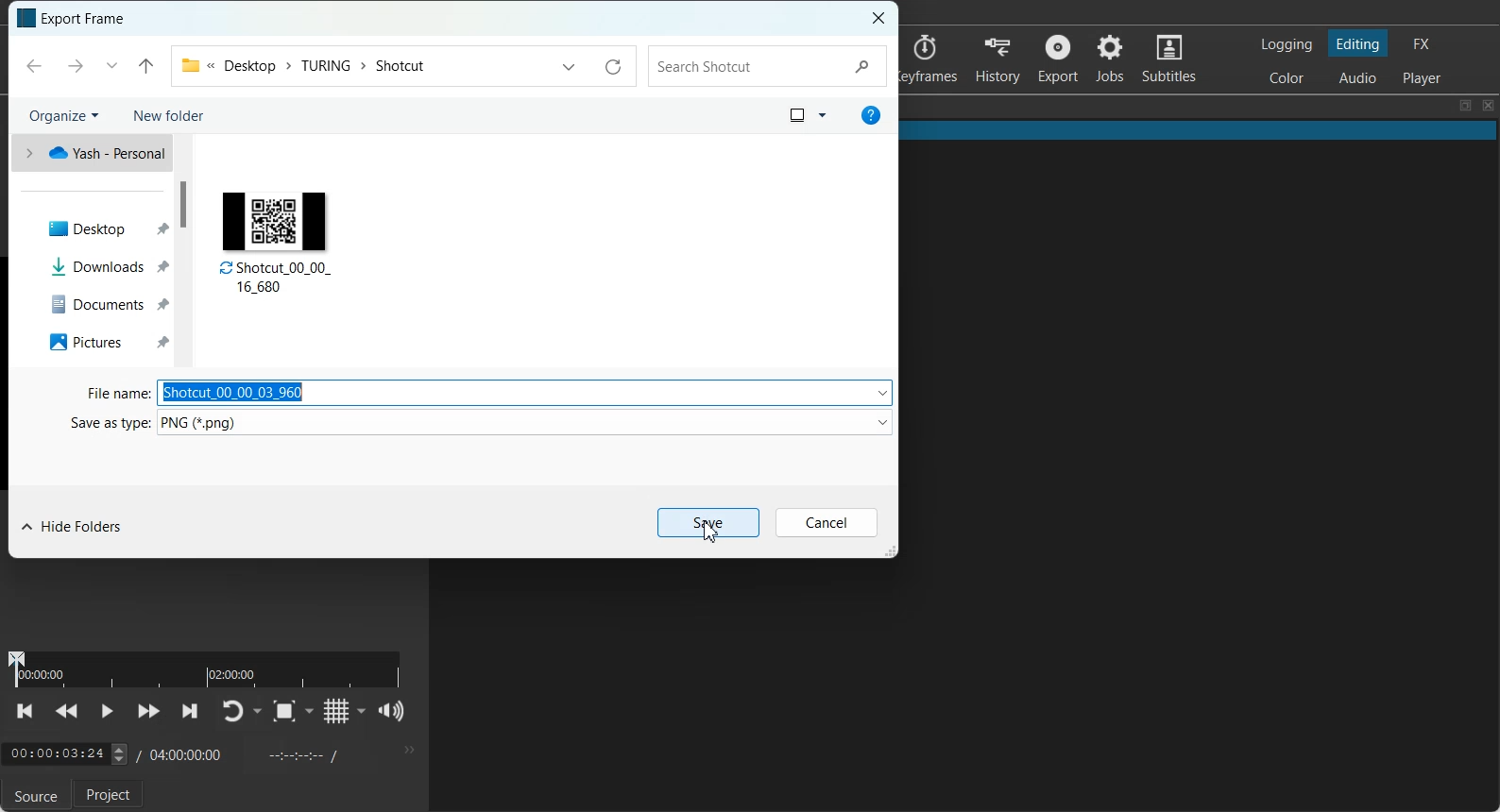 The image size is (1500, 812). I want to click on PNG, so click(528, 421).